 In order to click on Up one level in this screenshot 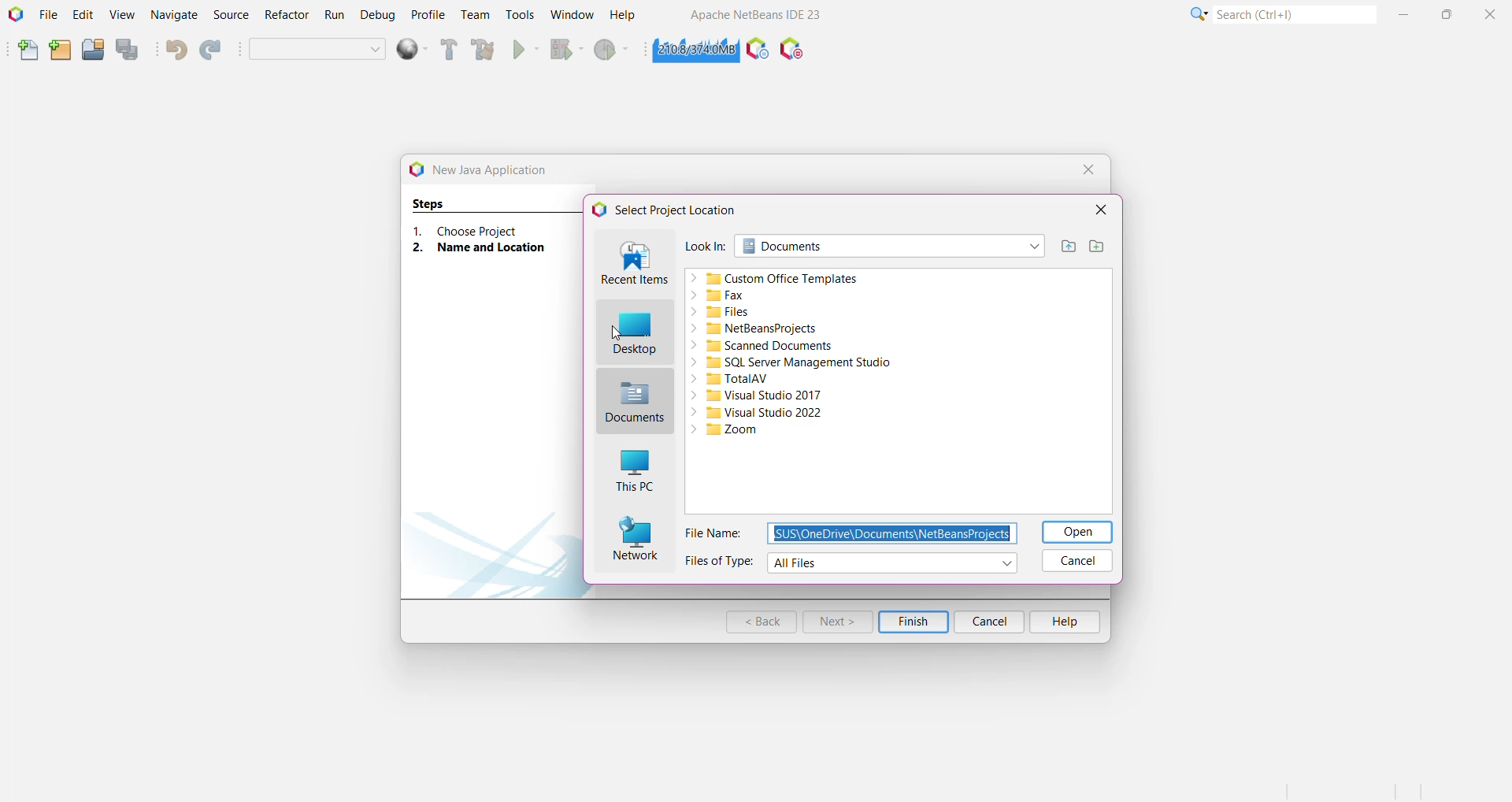, I will do `click(1065, 247)`.